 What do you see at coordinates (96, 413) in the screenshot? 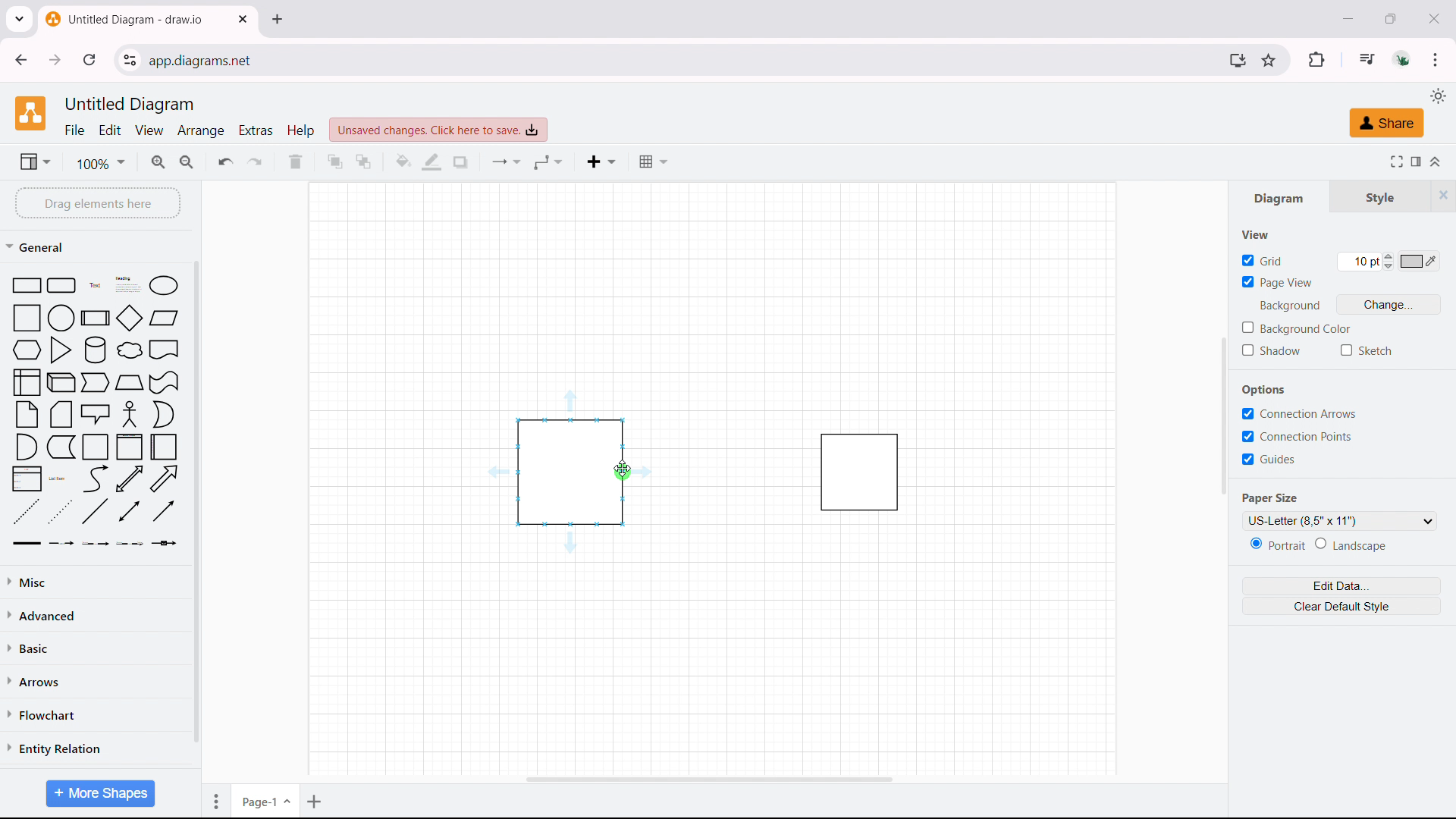
I see `shape library` at bounding box center [96, 413].